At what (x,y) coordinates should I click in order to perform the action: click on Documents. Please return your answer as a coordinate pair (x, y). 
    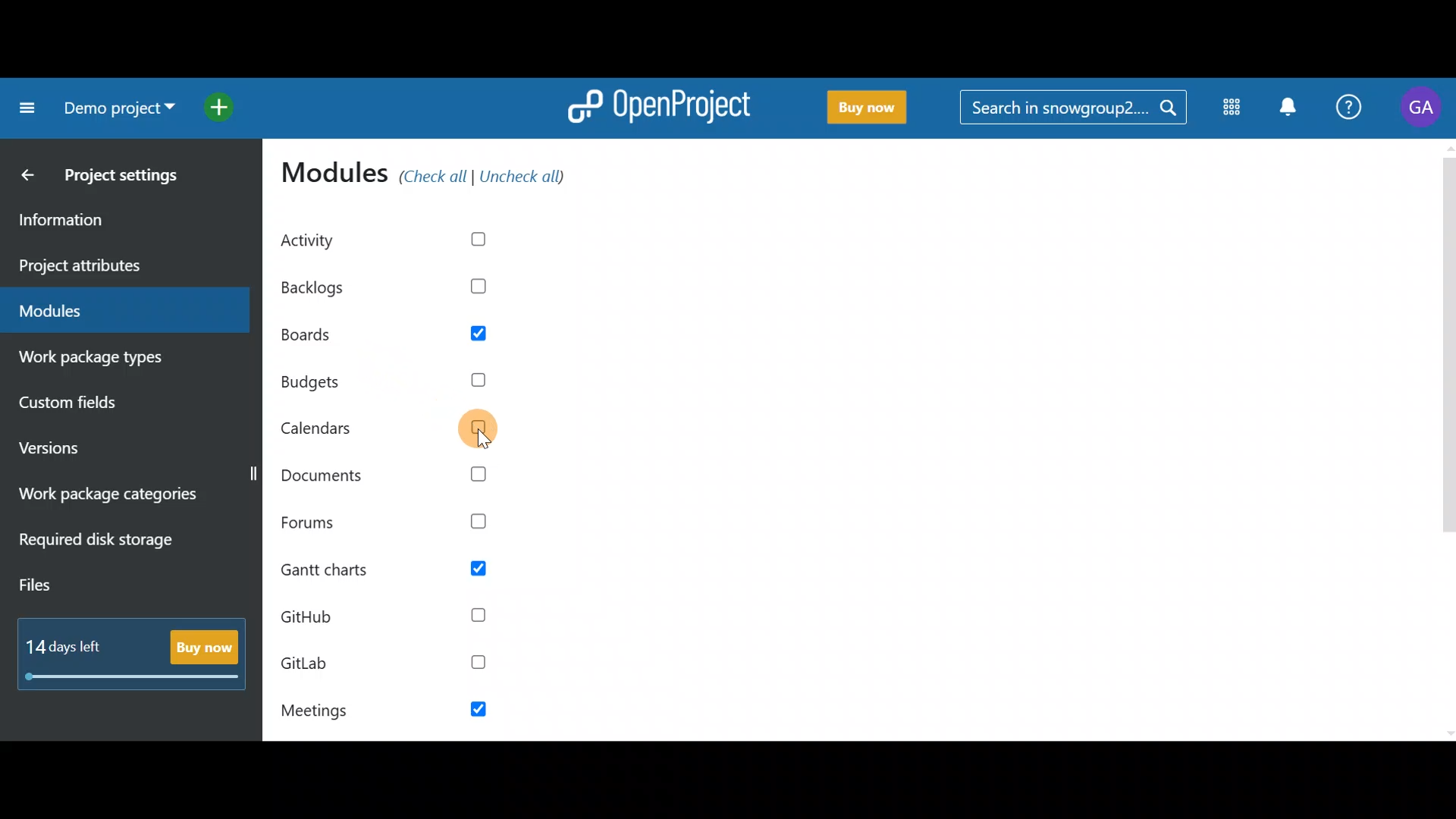
    Looking at the image, I should click on (392, 472).